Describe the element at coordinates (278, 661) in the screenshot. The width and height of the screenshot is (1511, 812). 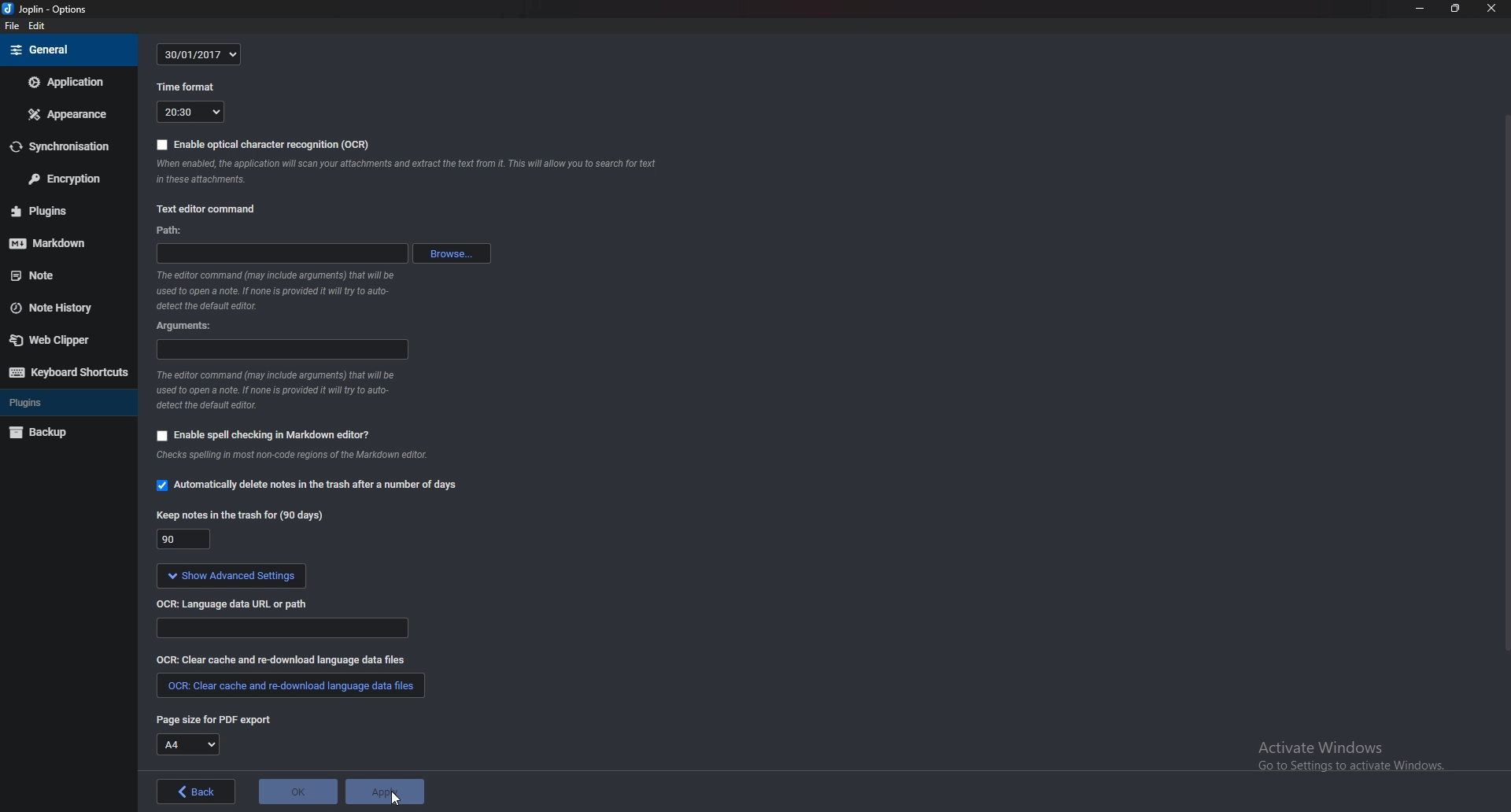
I see `Clear cache and redownload language data` at that location.